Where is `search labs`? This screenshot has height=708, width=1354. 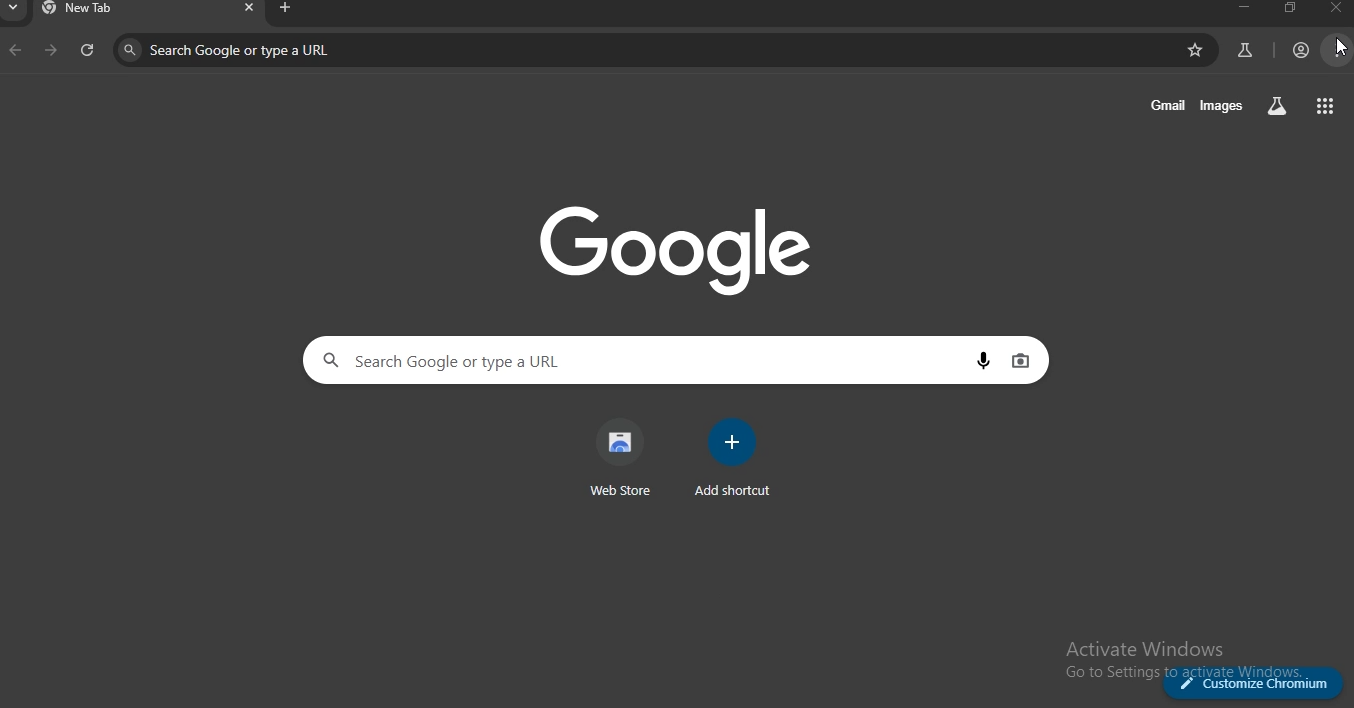
search labs is located at coordinates (1277, 107).